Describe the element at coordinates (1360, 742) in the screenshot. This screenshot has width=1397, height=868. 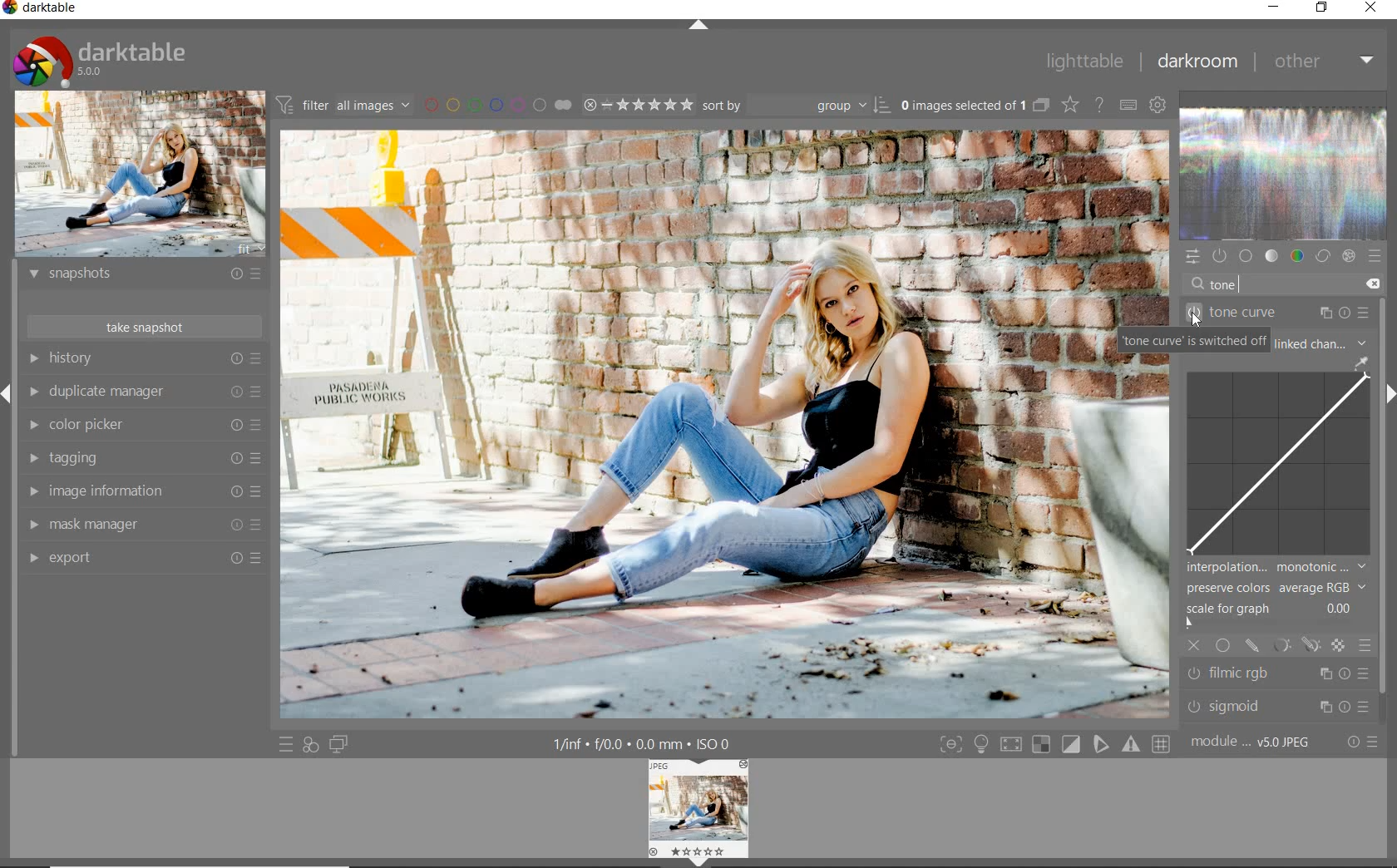
I see `reset or presets & preferences` at that location.